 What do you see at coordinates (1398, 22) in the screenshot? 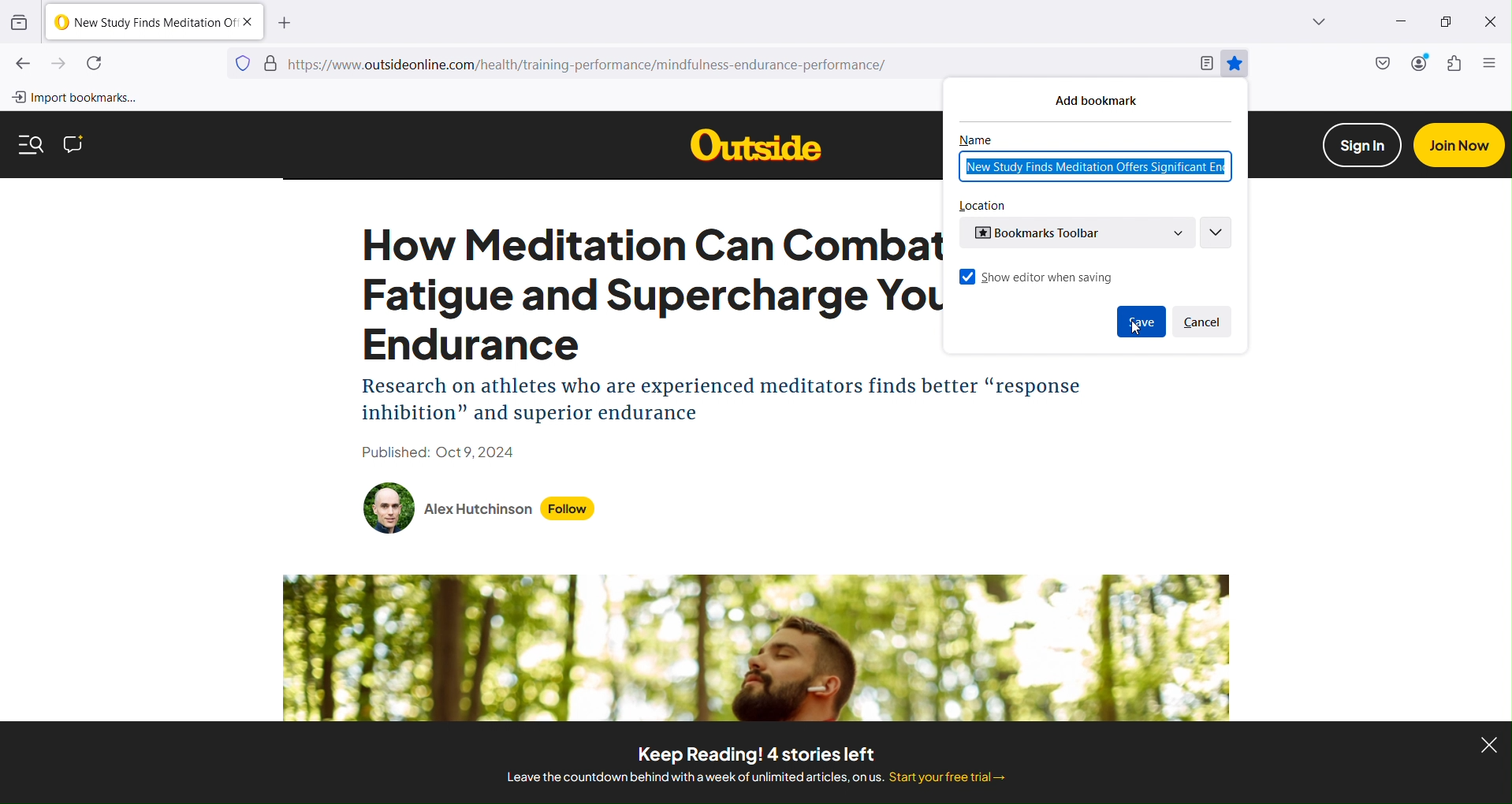
I see `Minimize` at bounding box center [1398, 22].